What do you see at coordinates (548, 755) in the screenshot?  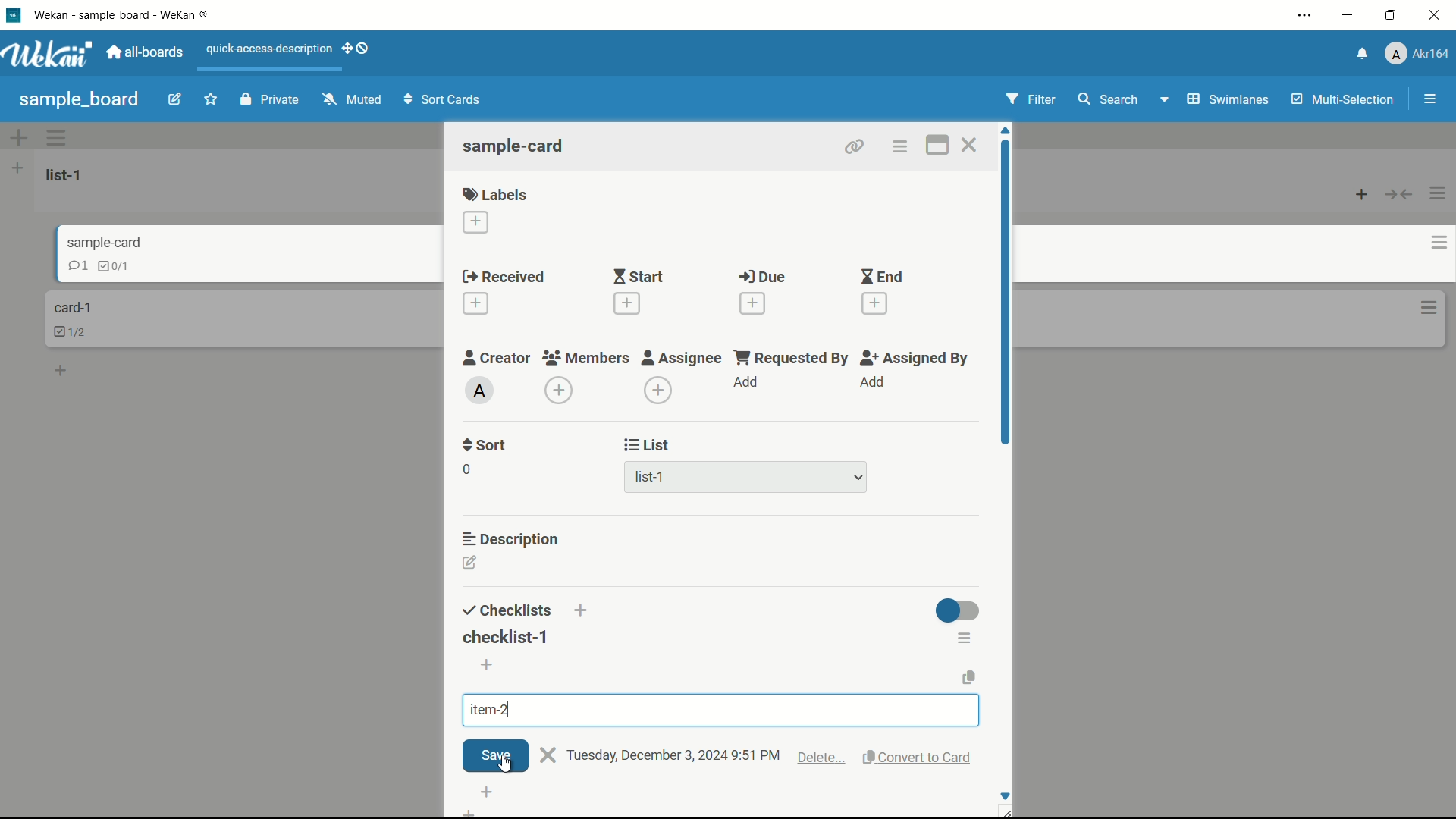 I see `close` at bounding box center [548, 755].